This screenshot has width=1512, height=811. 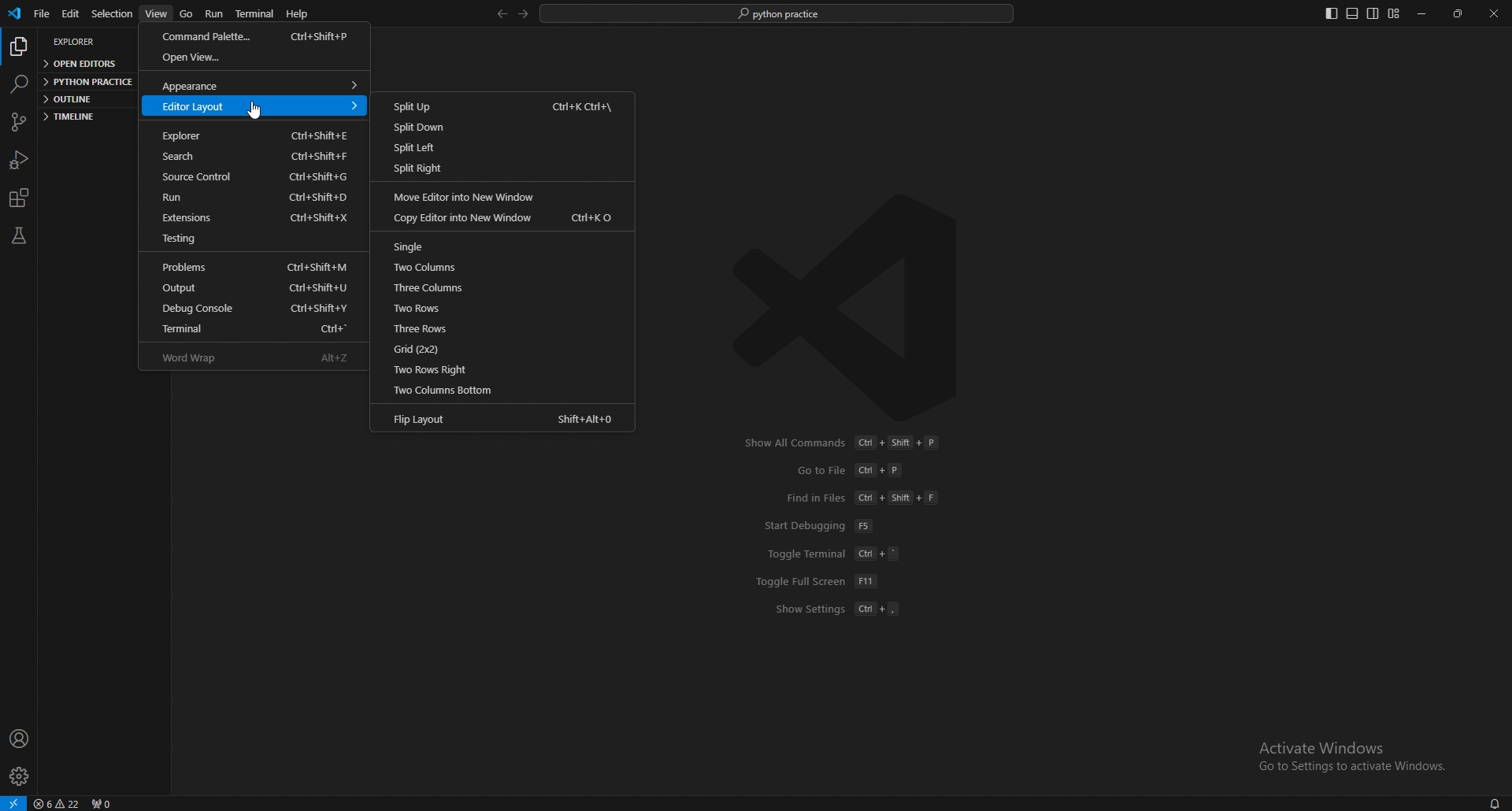 What do you see at coordinates (1352, 14) in the screenshot?
I see `toggle panel` at bounding box center [1352, 14].